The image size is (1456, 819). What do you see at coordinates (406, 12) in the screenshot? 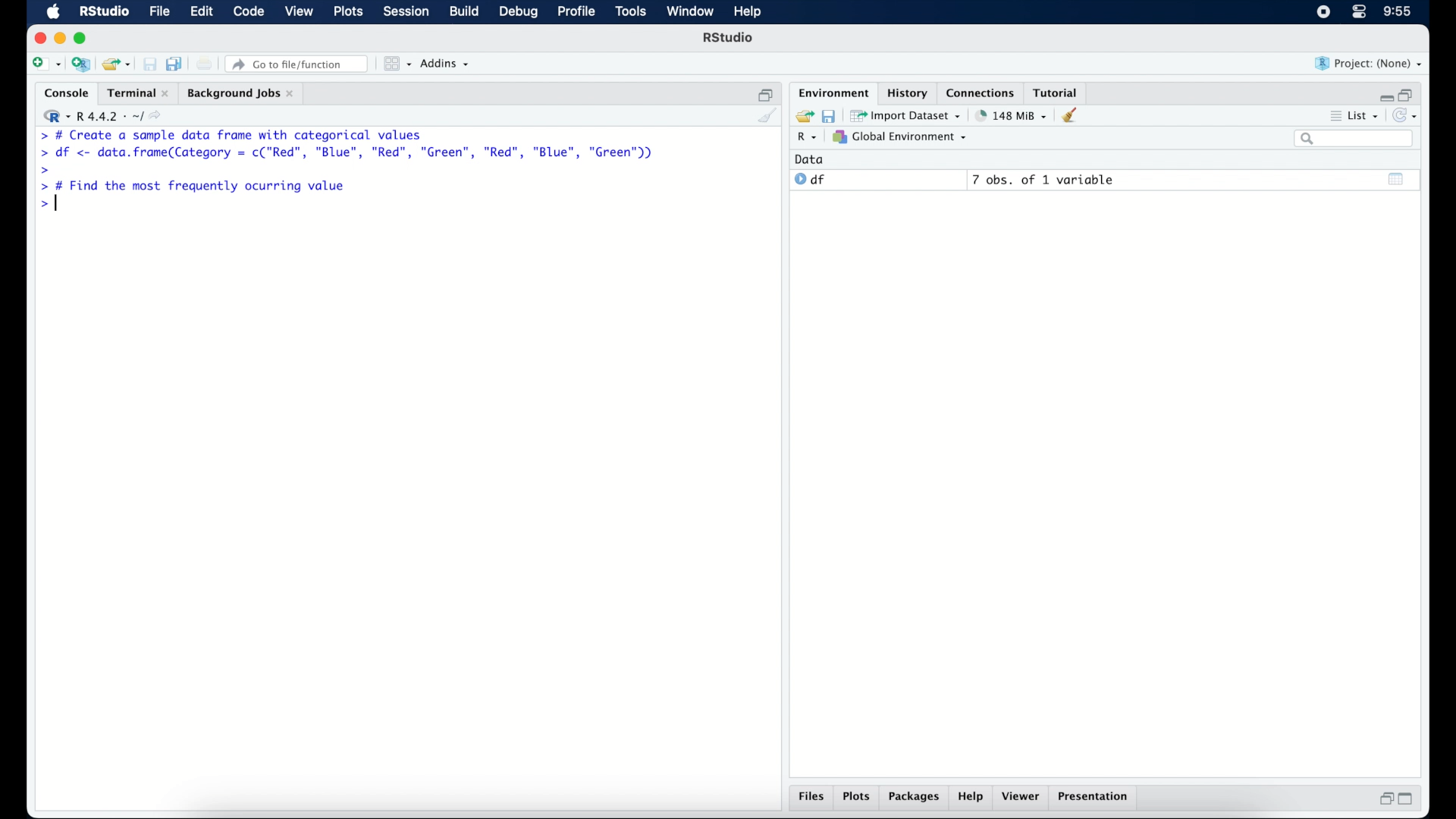
I see `session` at bounding box center [406, 12].